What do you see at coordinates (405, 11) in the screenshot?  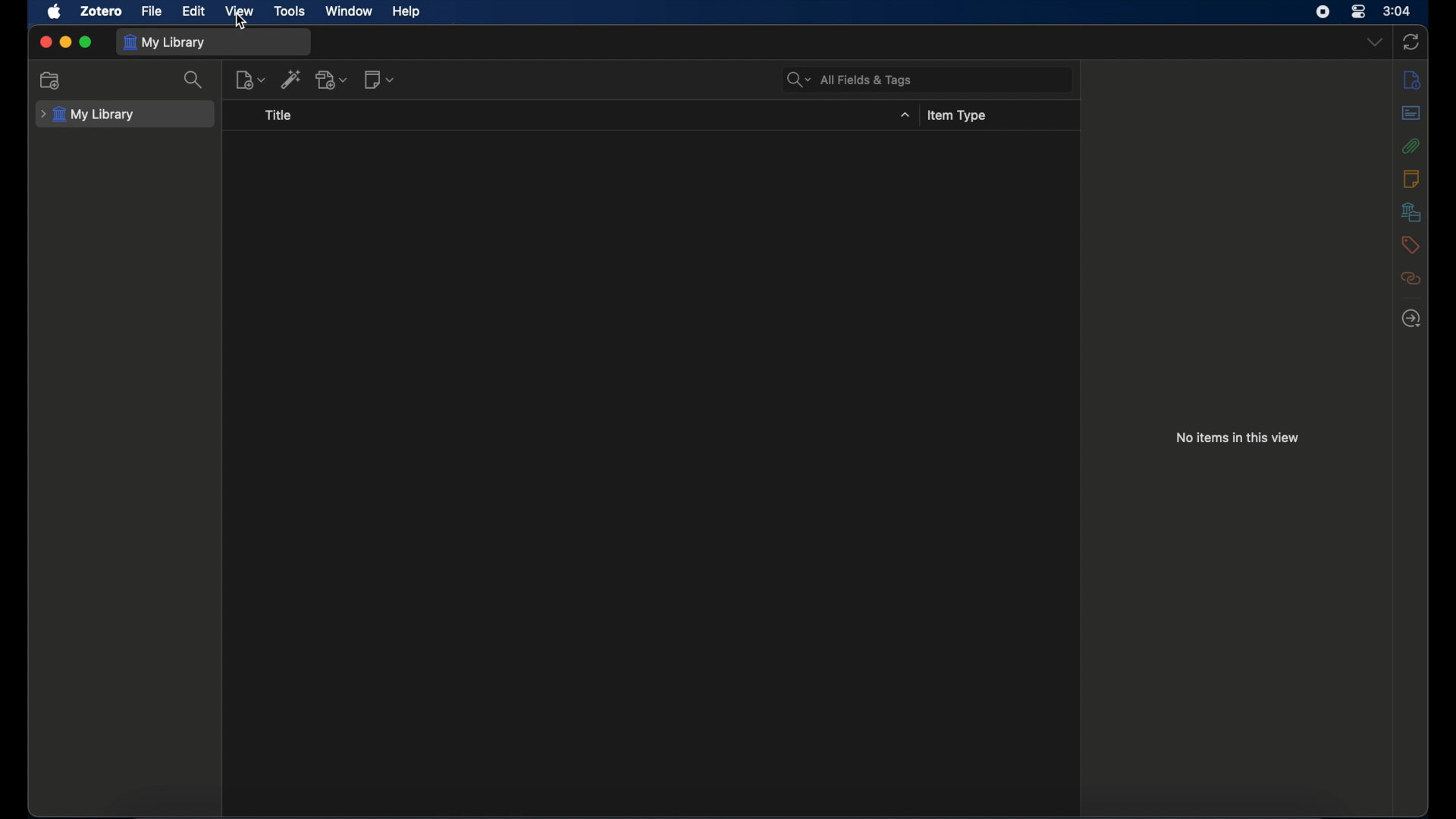 I see `help` at bounding box center [405, 11].